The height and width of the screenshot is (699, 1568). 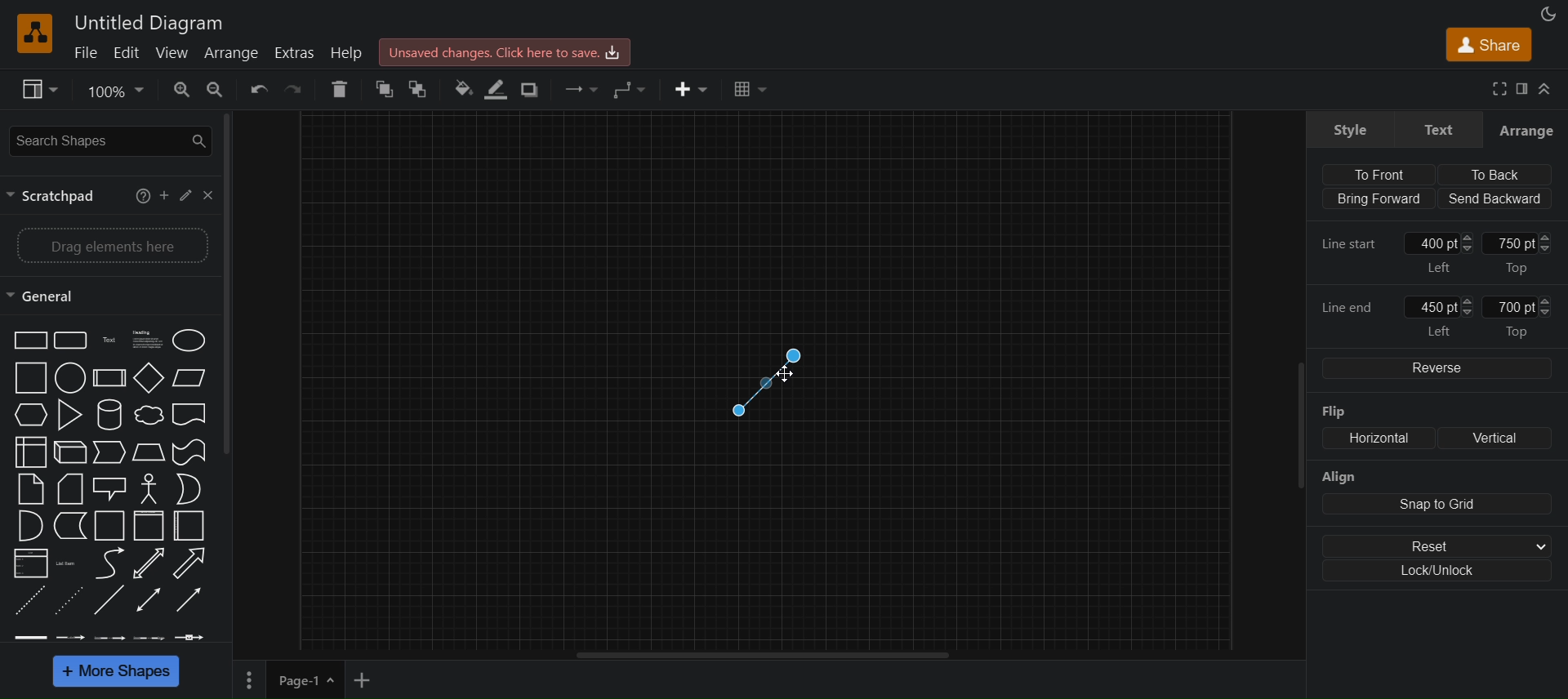 What do you see at coordinates (29, 416) in the screenshot?
I see `Hexagon` at bounding box center [29, 416].